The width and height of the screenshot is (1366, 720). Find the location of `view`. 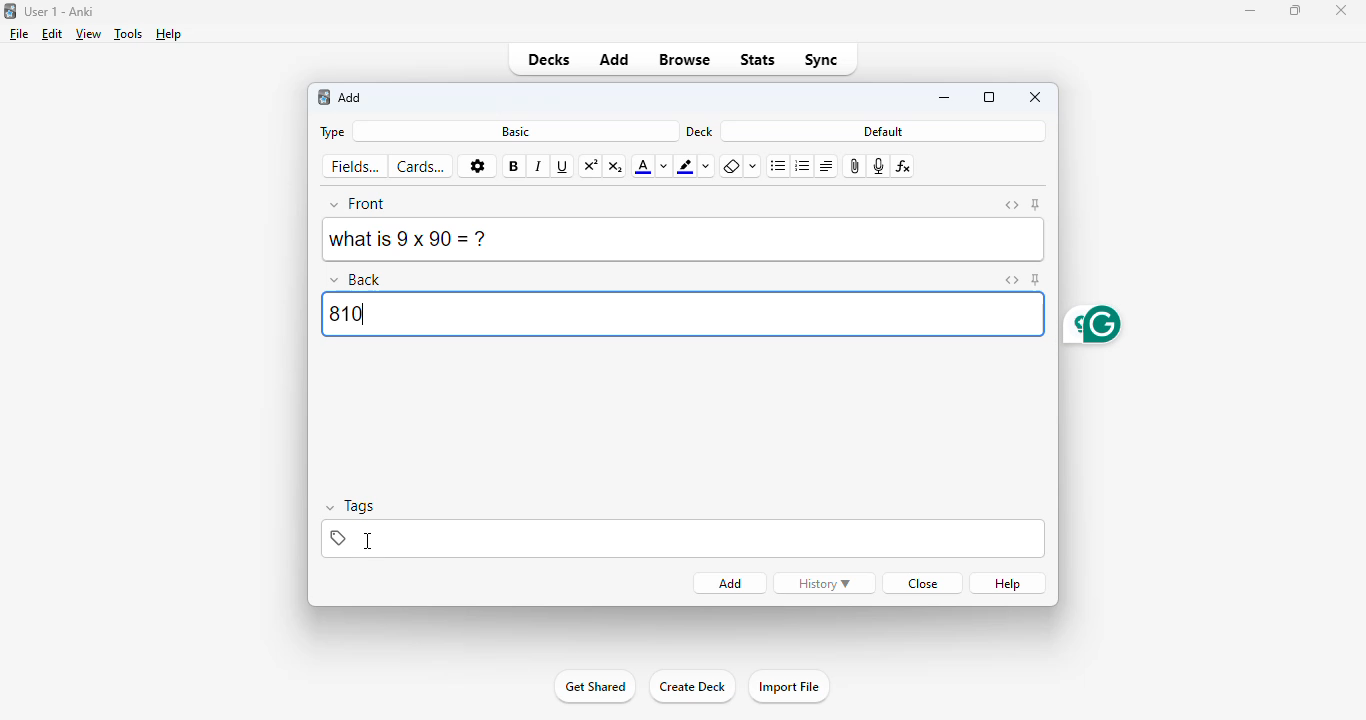

view is located at coordinates (89, 33).